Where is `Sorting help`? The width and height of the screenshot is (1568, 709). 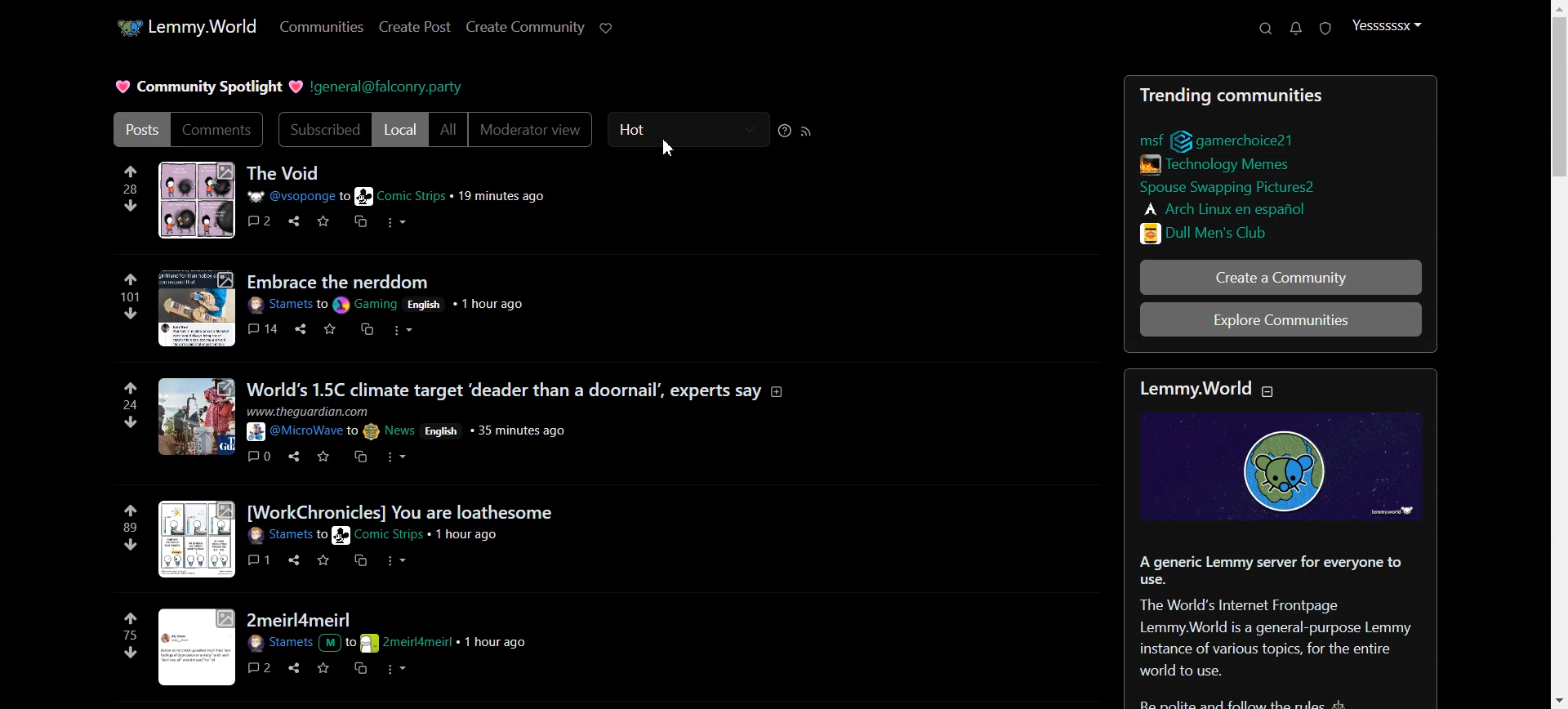 Sorting help is located at coordinates (785, 130).